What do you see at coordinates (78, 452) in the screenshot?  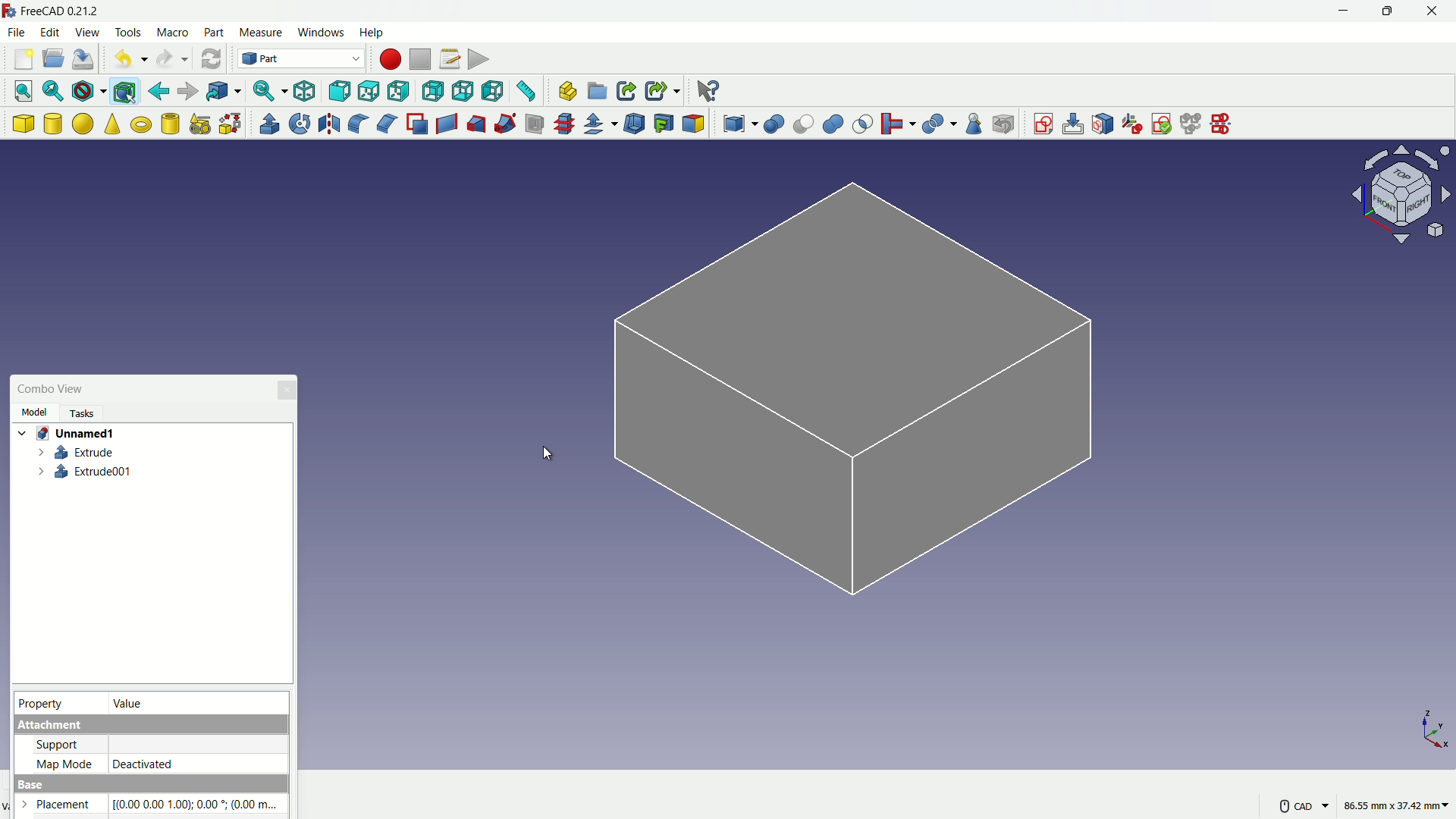 I see `extrude` at bounding box center [78, 452].